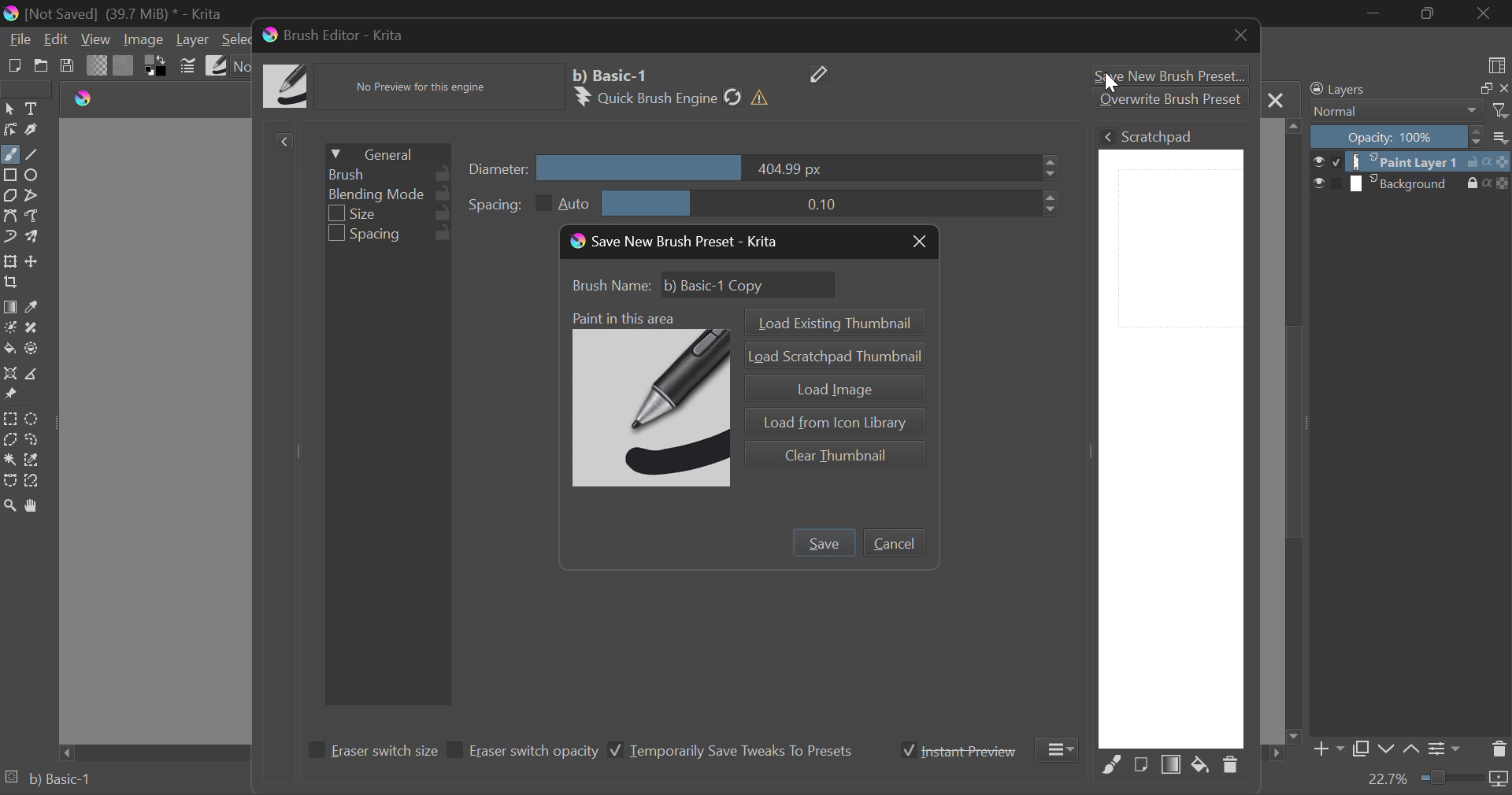 The height and width of the screenshot is (795, 1512). I want to click on Instant Preview, so click(959, 750).